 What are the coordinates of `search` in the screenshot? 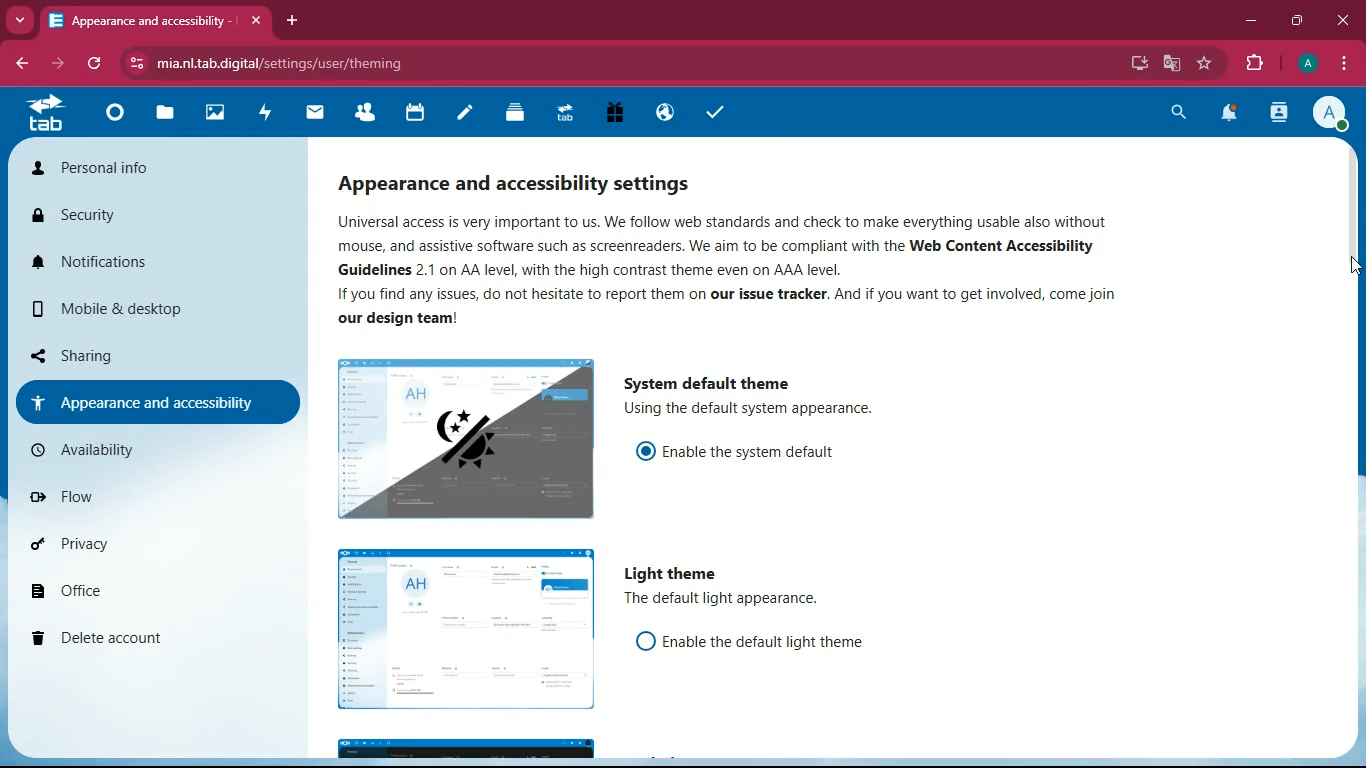 It's located at (1176, 115).